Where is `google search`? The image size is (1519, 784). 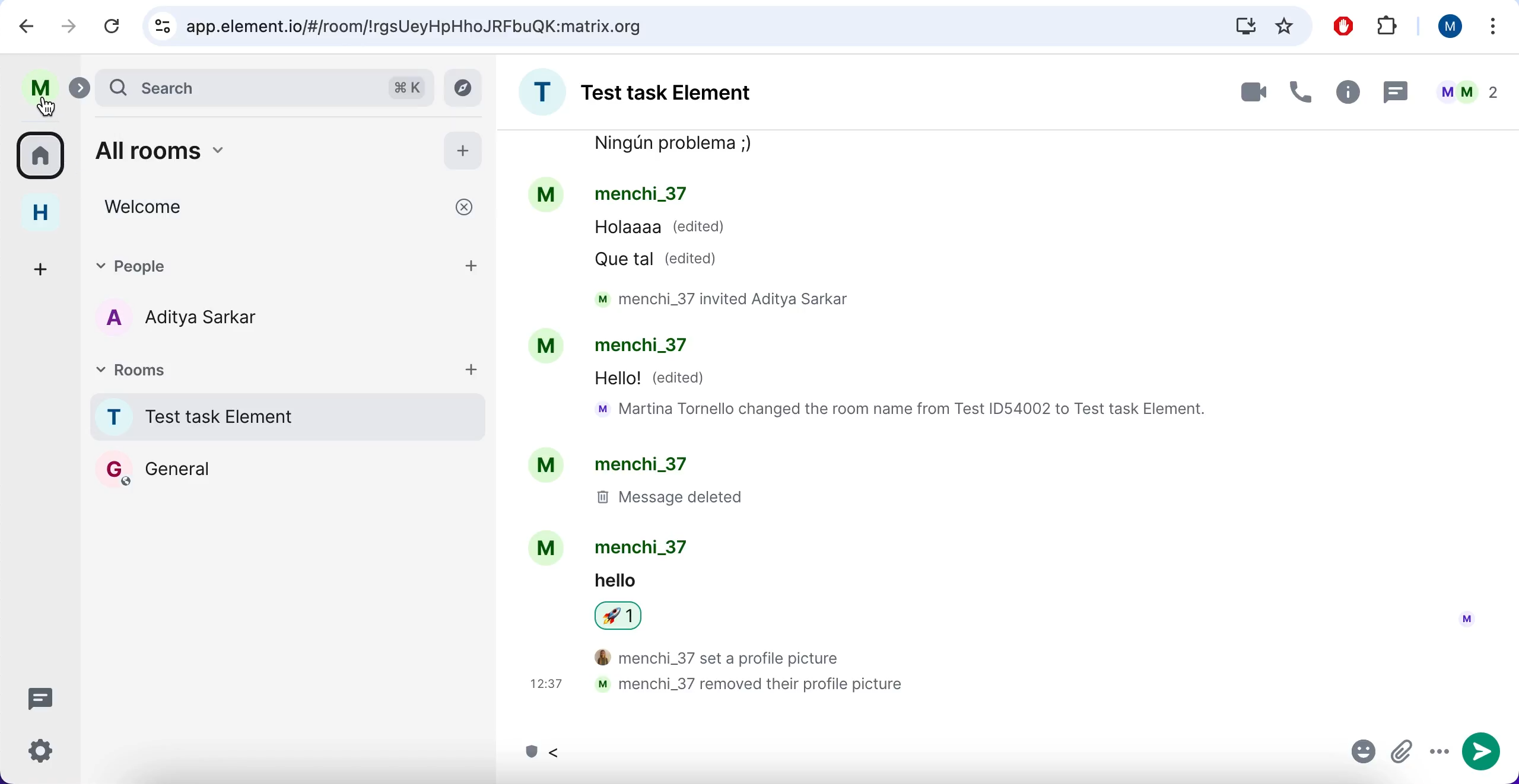
google search is located at coordinates (264, 89).